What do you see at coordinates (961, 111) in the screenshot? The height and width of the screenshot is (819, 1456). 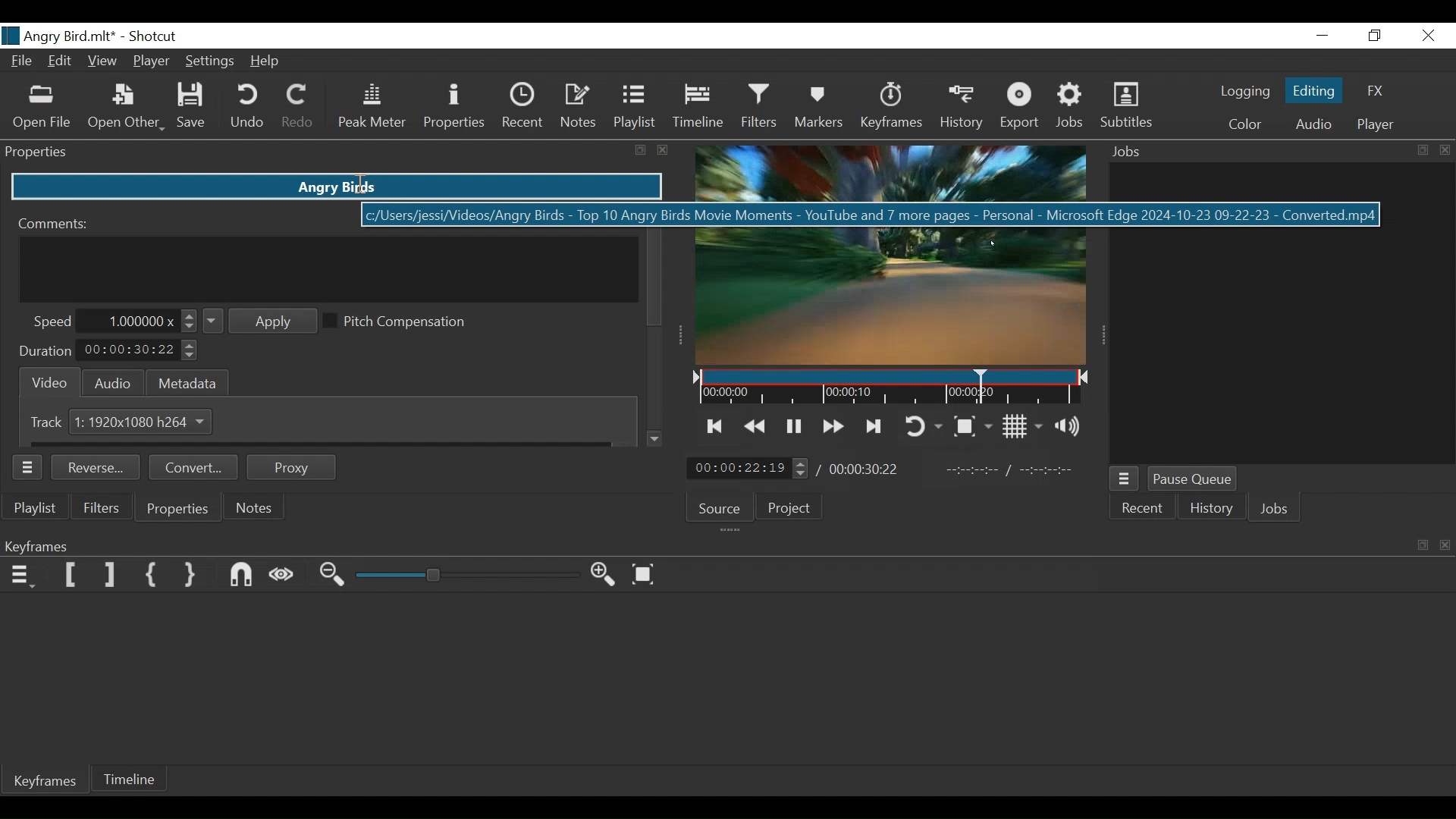 I see `History` at bounding box center [961, 111].